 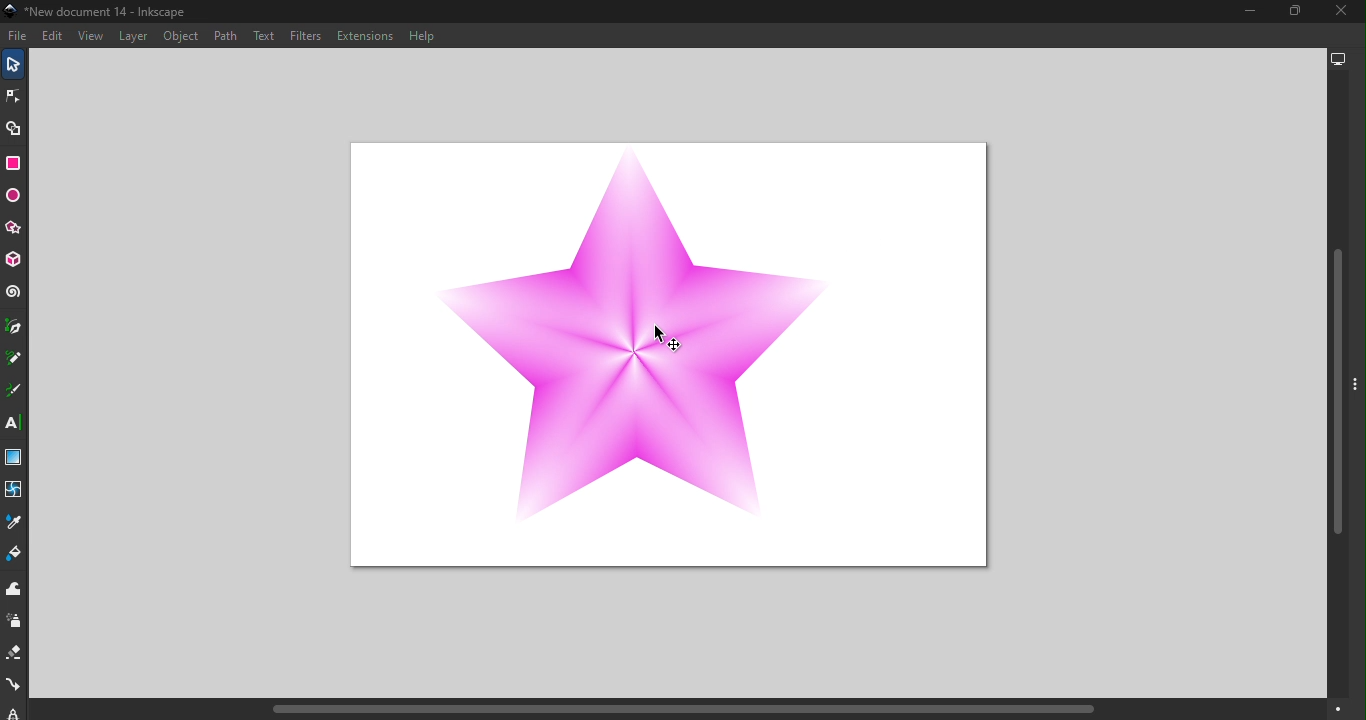 What do you see at coordinates (13, 96) in the screenshot?
I see `Node tool` at bounding box center [13, 96].